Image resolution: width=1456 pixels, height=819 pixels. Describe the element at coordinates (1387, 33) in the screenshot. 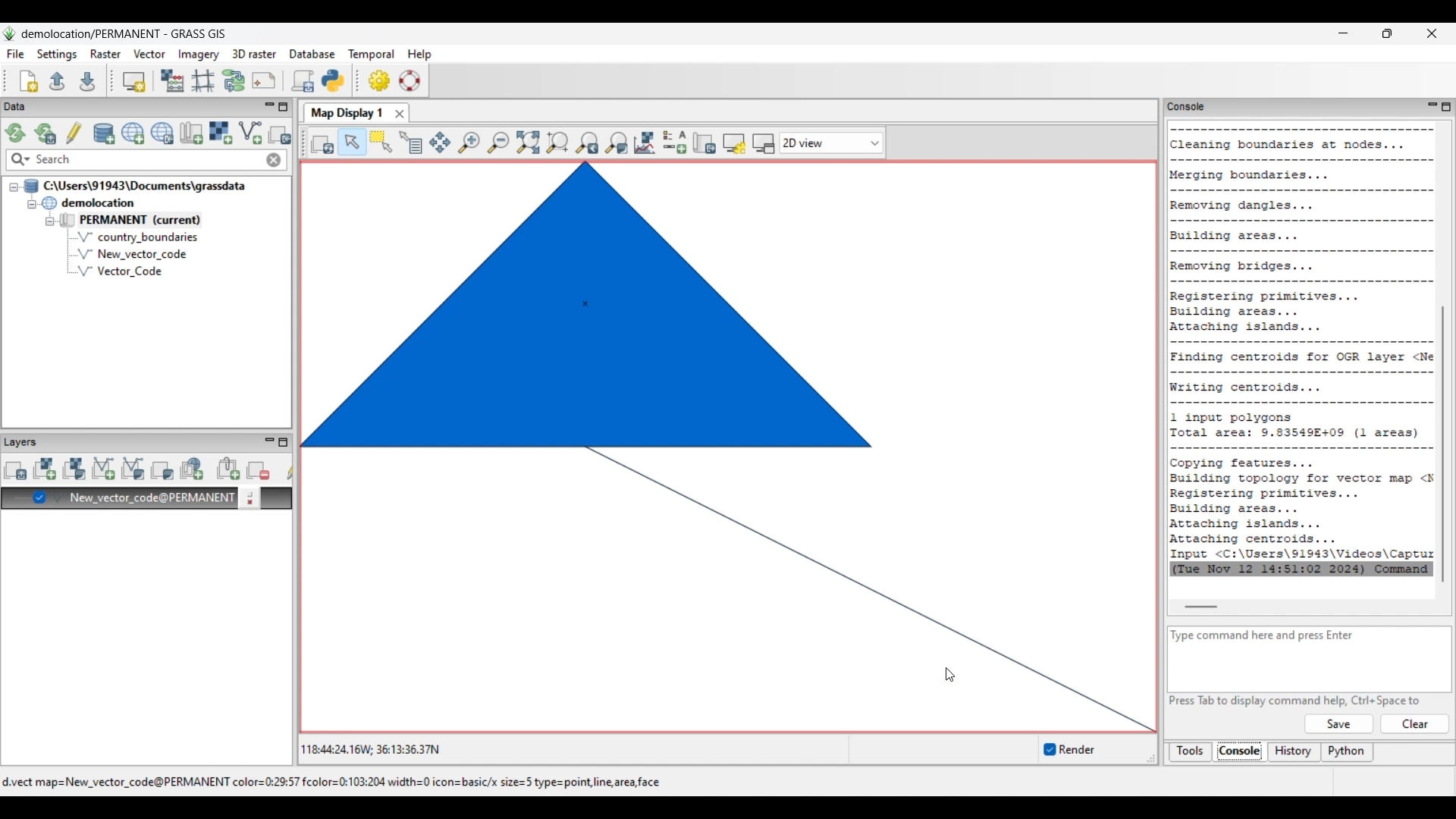

I see `Show interface in a smaller tab` at that location.